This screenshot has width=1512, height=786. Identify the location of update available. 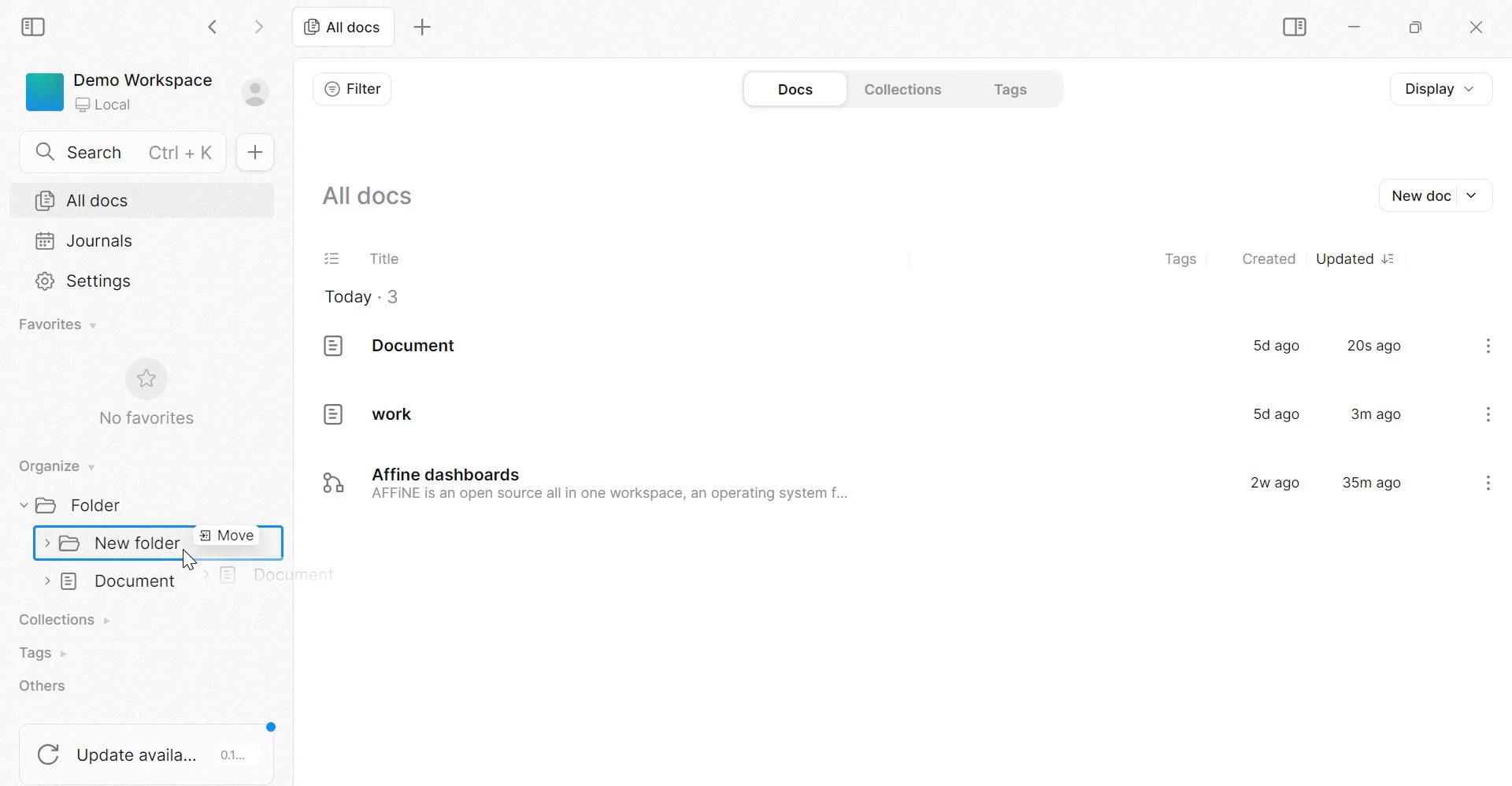
(147, 749).